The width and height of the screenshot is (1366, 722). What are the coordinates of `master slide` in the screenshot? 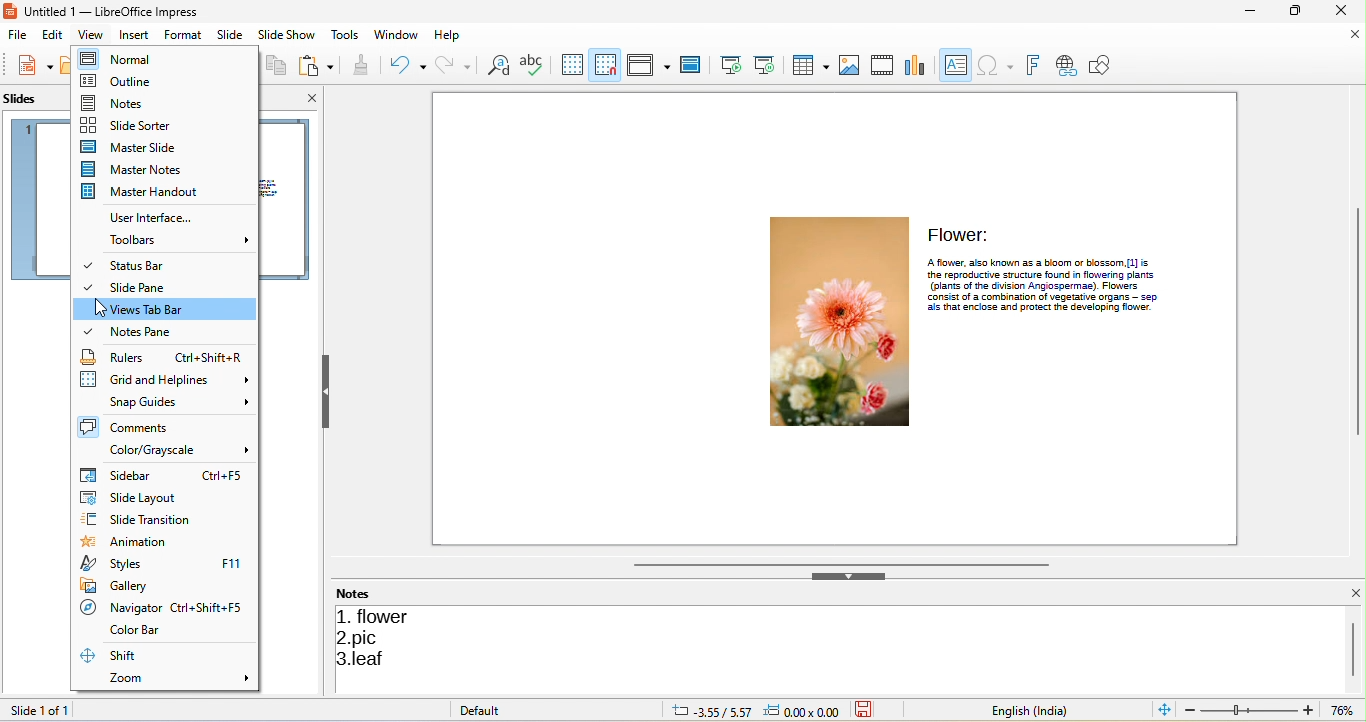 It's located at (142, 148).